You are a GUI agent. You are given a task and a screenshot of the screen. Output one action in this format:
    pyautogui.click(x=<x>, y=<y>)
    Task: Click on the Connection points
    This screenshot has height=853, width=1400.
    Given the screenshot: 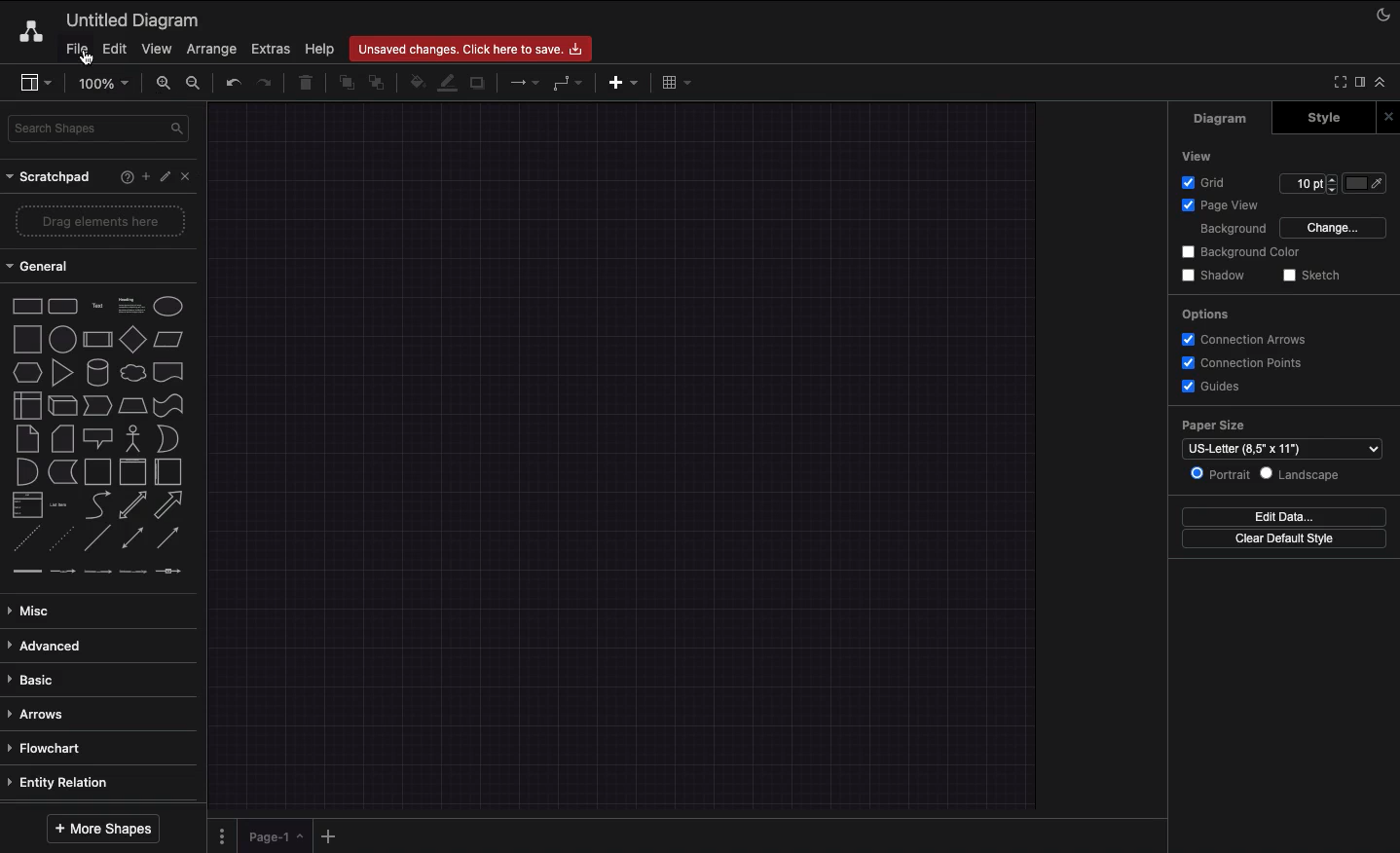 What is the action you would take?
    pyautogui.click(x=1243, y=362)
    